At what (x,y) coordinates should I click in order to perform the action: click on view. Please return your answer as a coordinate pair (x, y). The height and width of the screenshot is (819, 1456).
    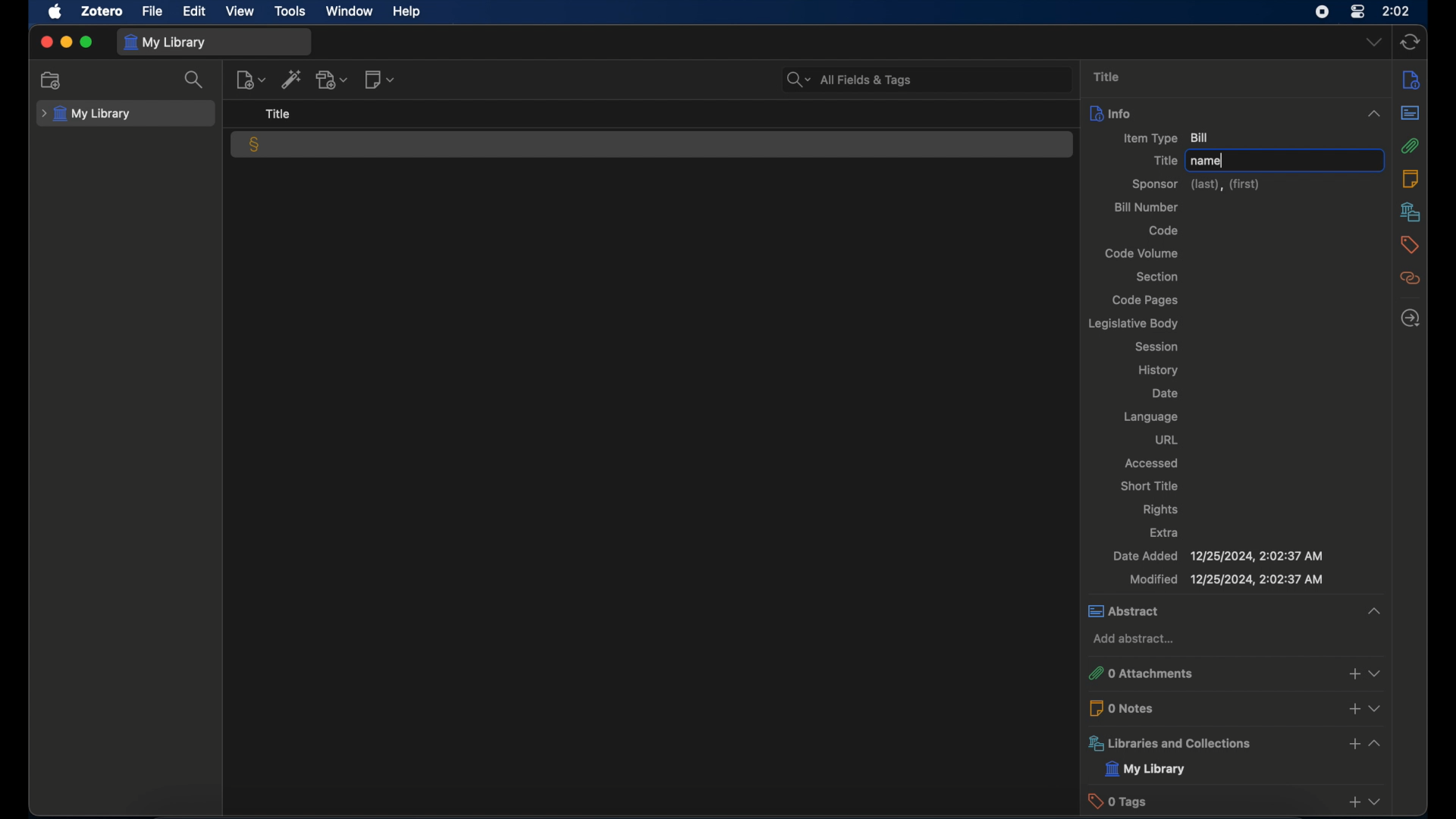
    Looking at the image, I should click on (241, 11).